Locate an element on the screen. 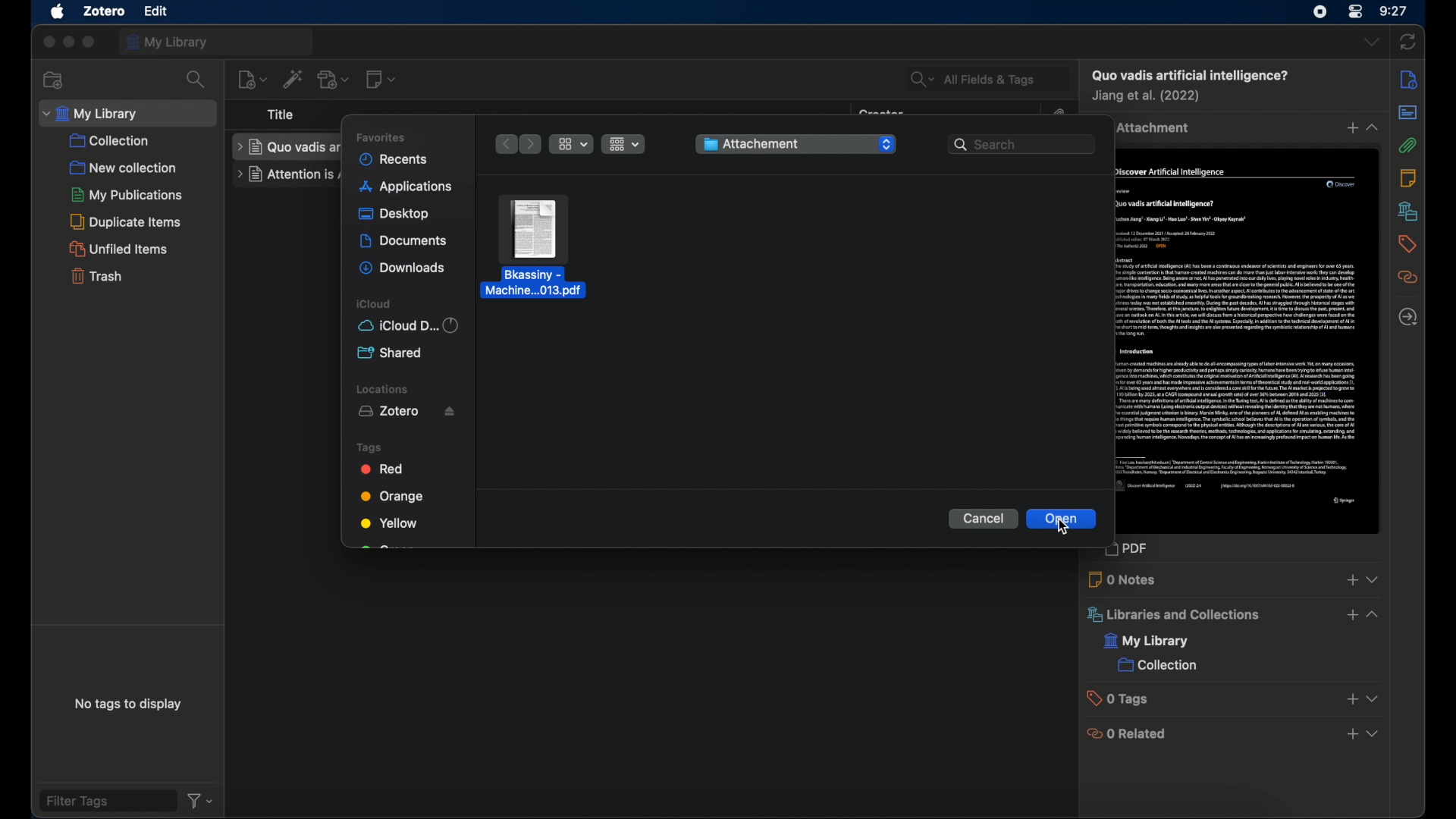  favorites is located at coordinates (386, 136).